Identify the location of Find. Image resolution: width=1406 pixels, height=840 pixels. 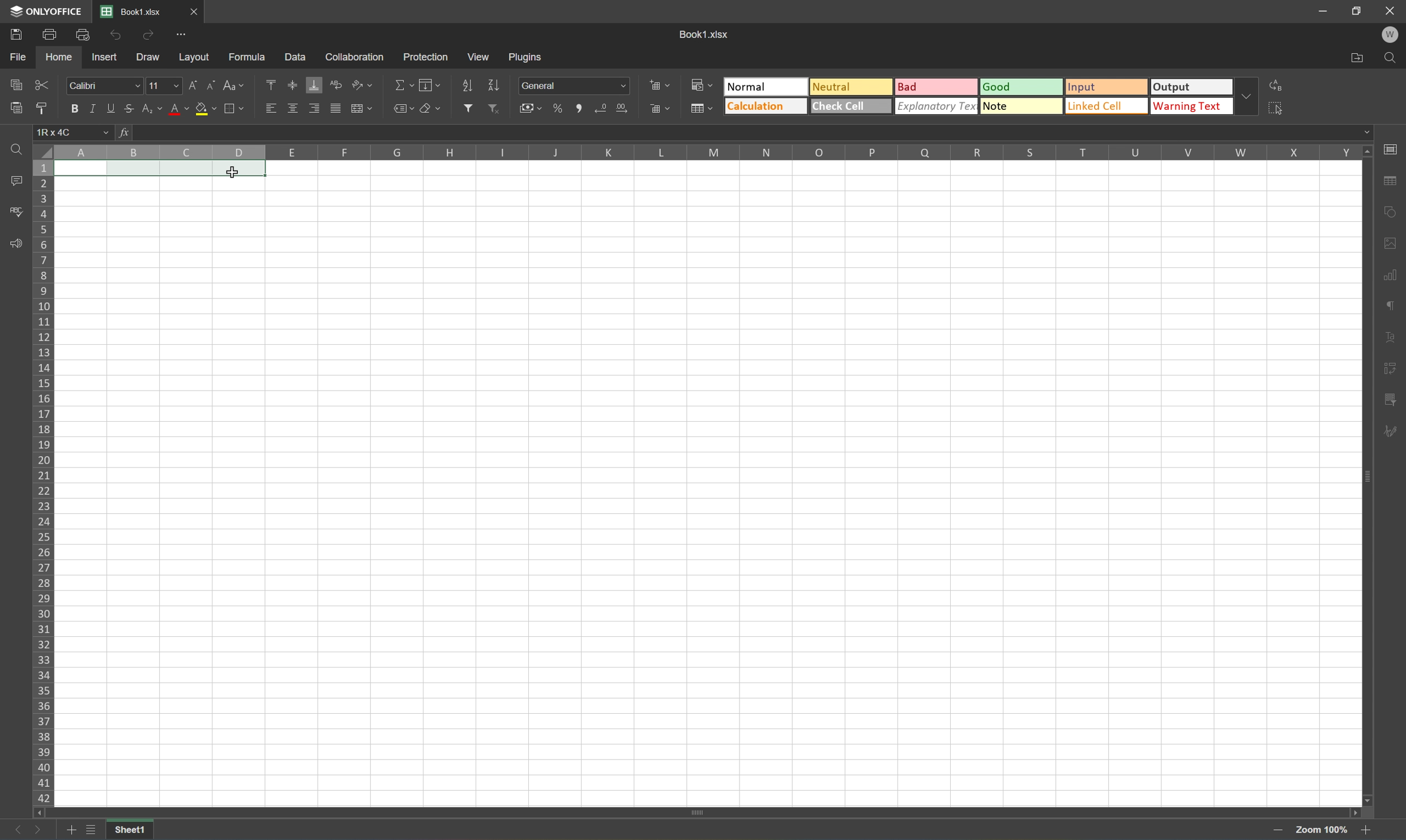
(1393, 58).